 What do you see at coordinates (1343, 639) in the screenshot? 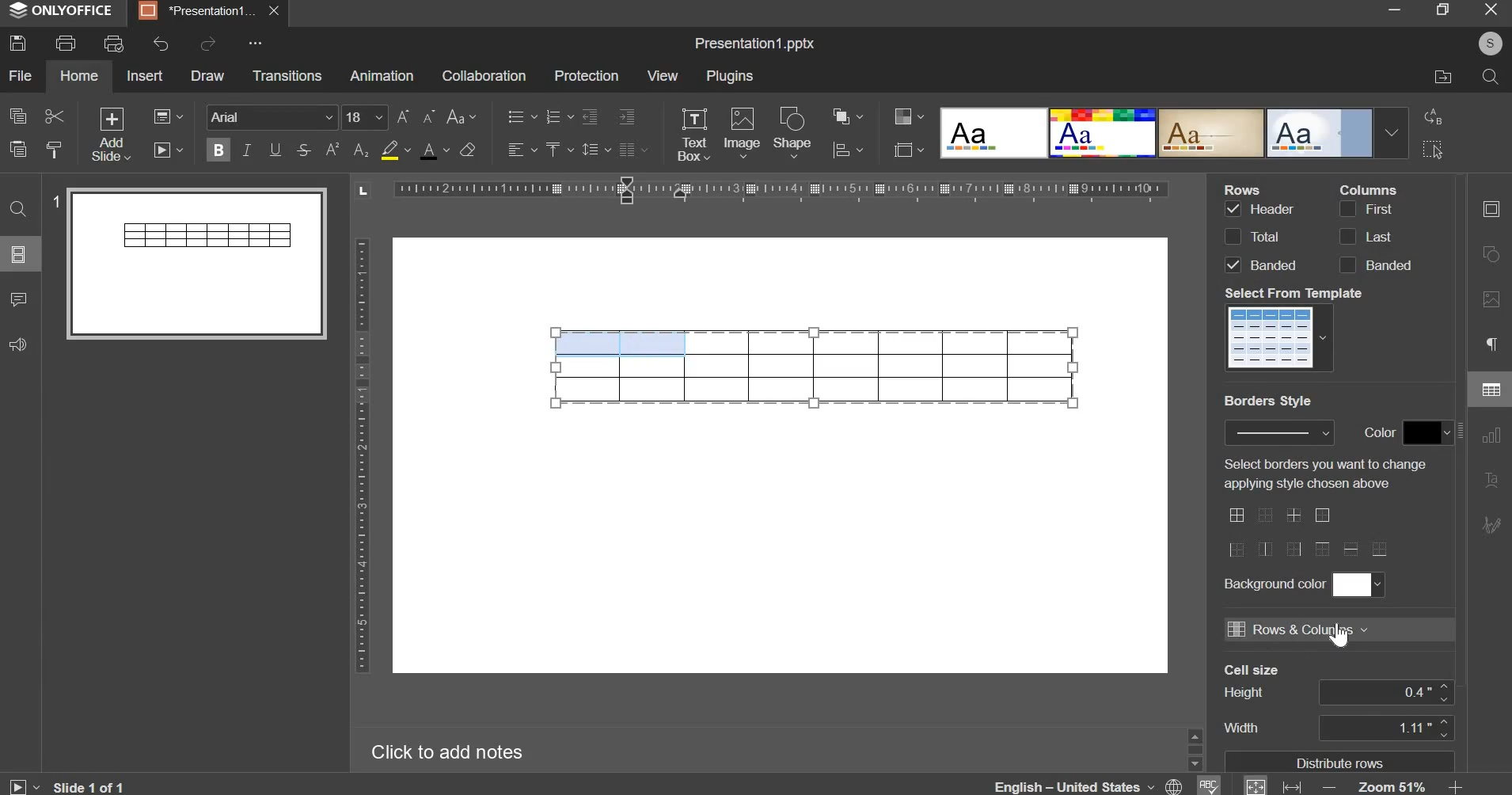
I see `Cursor` at bounding box center [1343, 639].